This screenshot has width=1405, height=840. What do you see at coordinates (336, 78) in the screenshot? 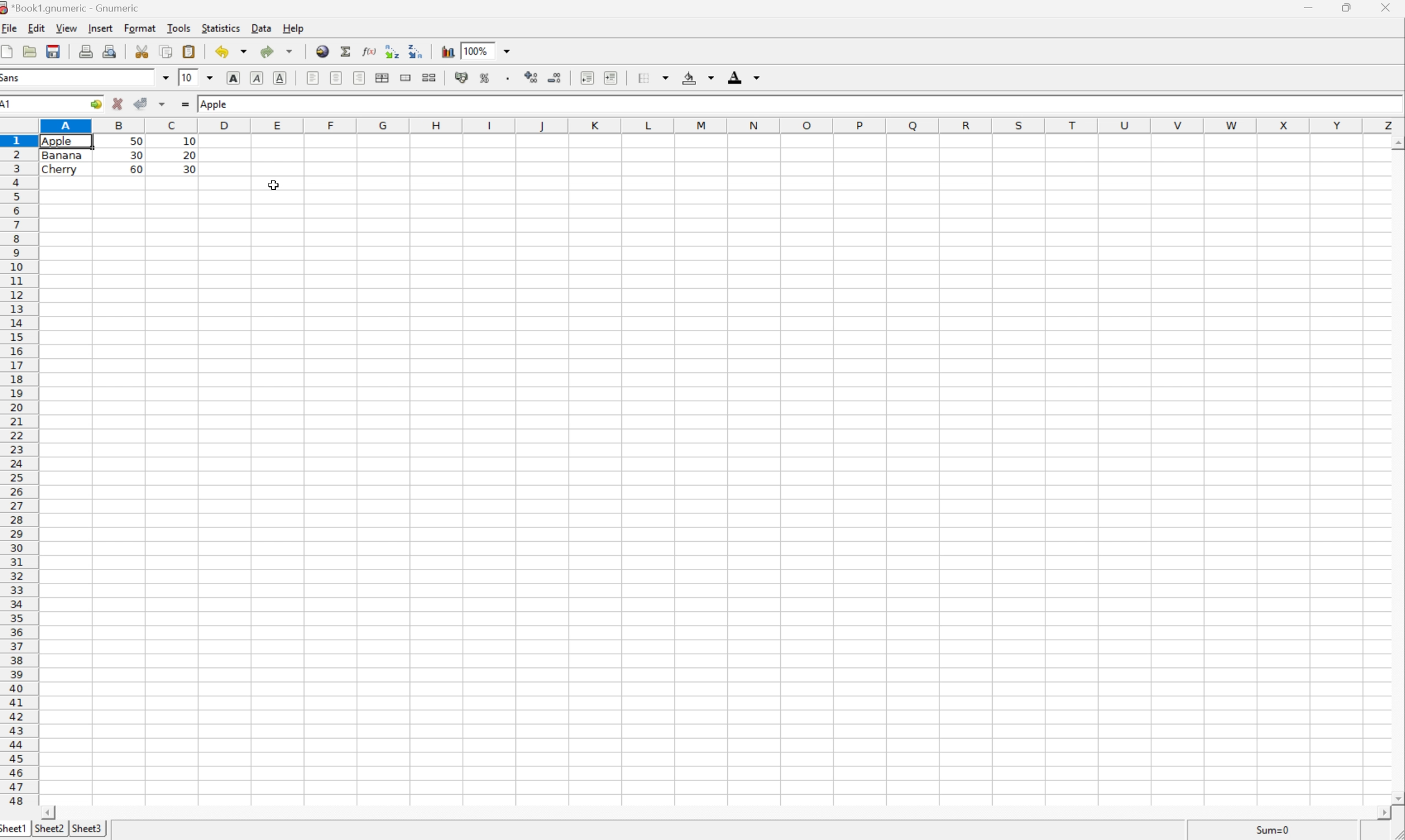
I see `center horizontally` at bounding box center [336, 78].